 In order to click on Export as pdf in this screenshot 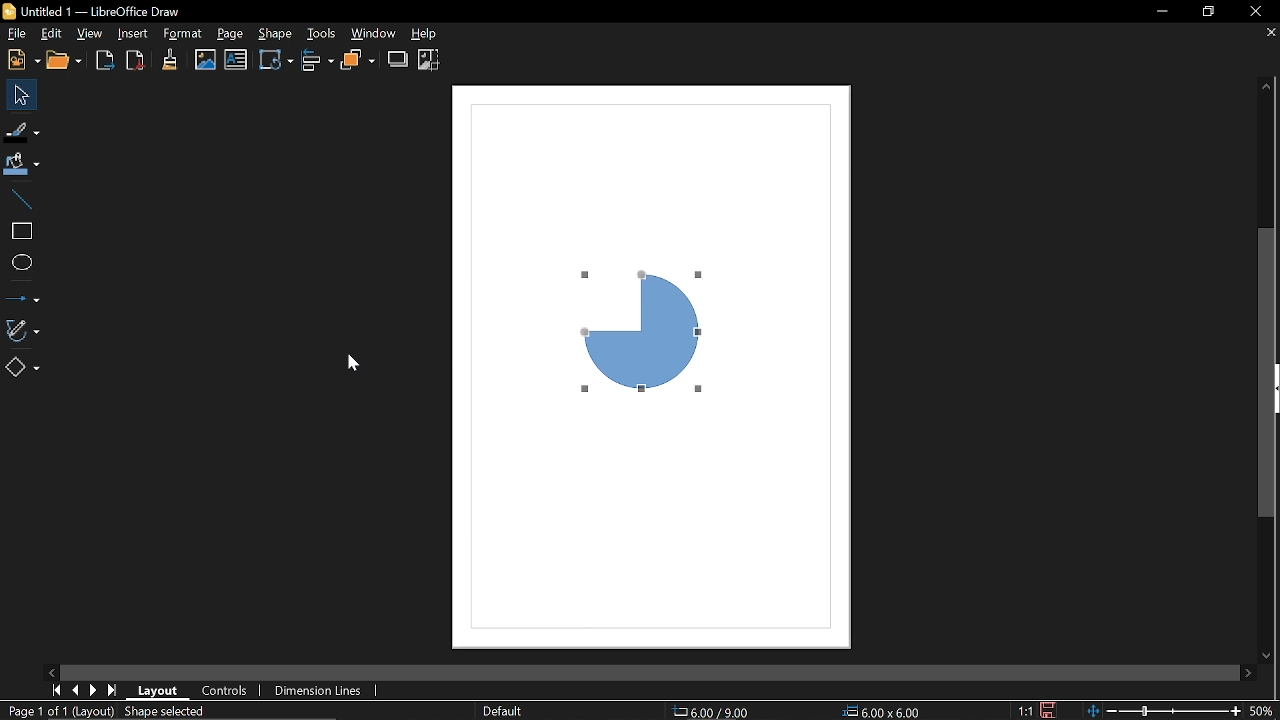, I will do `click(134, 60)`.